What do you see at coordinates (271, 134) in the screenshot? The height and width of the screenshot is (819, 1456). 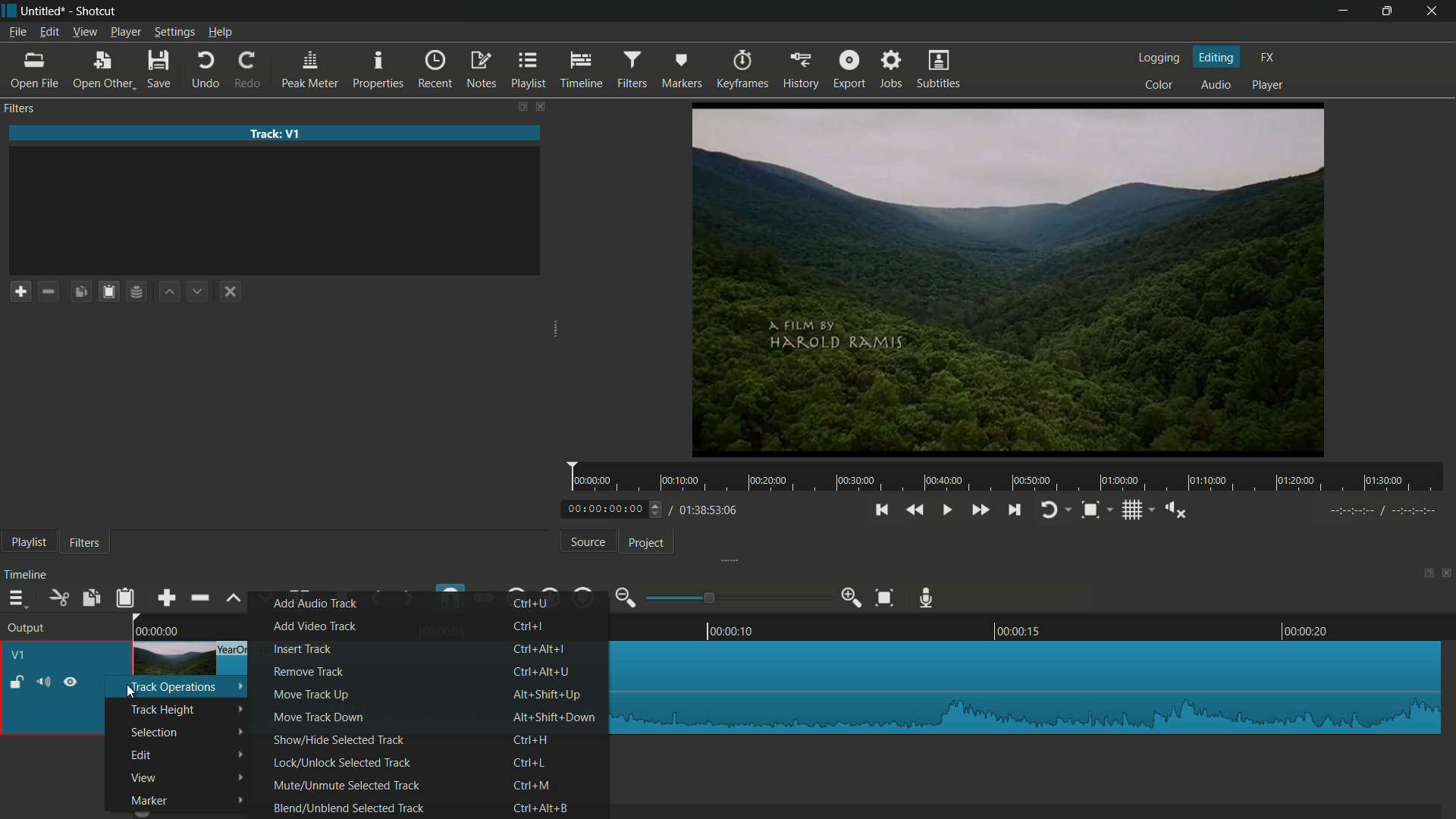 I see `imported file name` at bounding box center [271, 134].